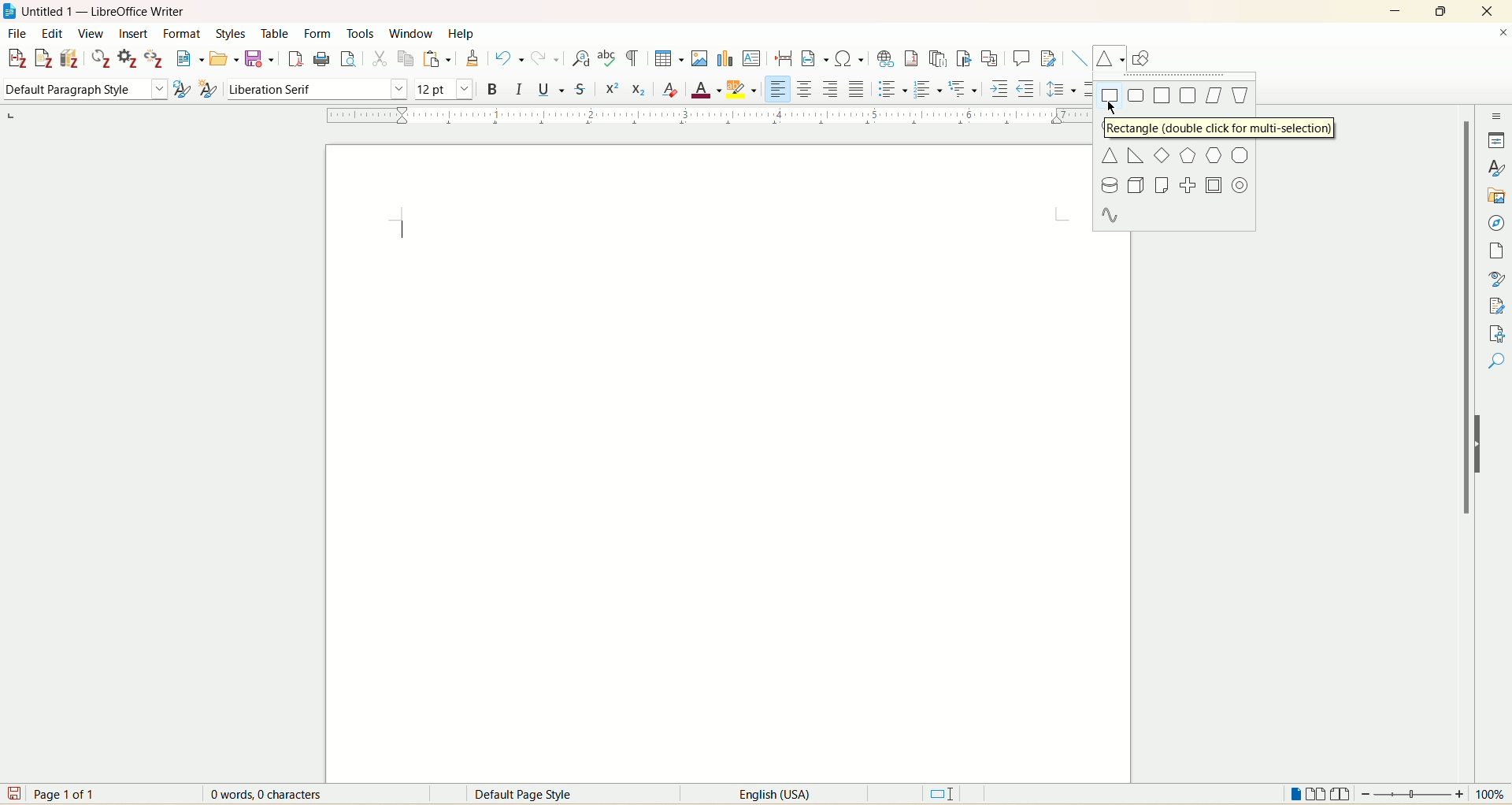 The height and width of the screenshot is (805, 1512). What do you see at coordinates (706, 466) in the screenshot?
I see `page` at bounding box center [706, 466].